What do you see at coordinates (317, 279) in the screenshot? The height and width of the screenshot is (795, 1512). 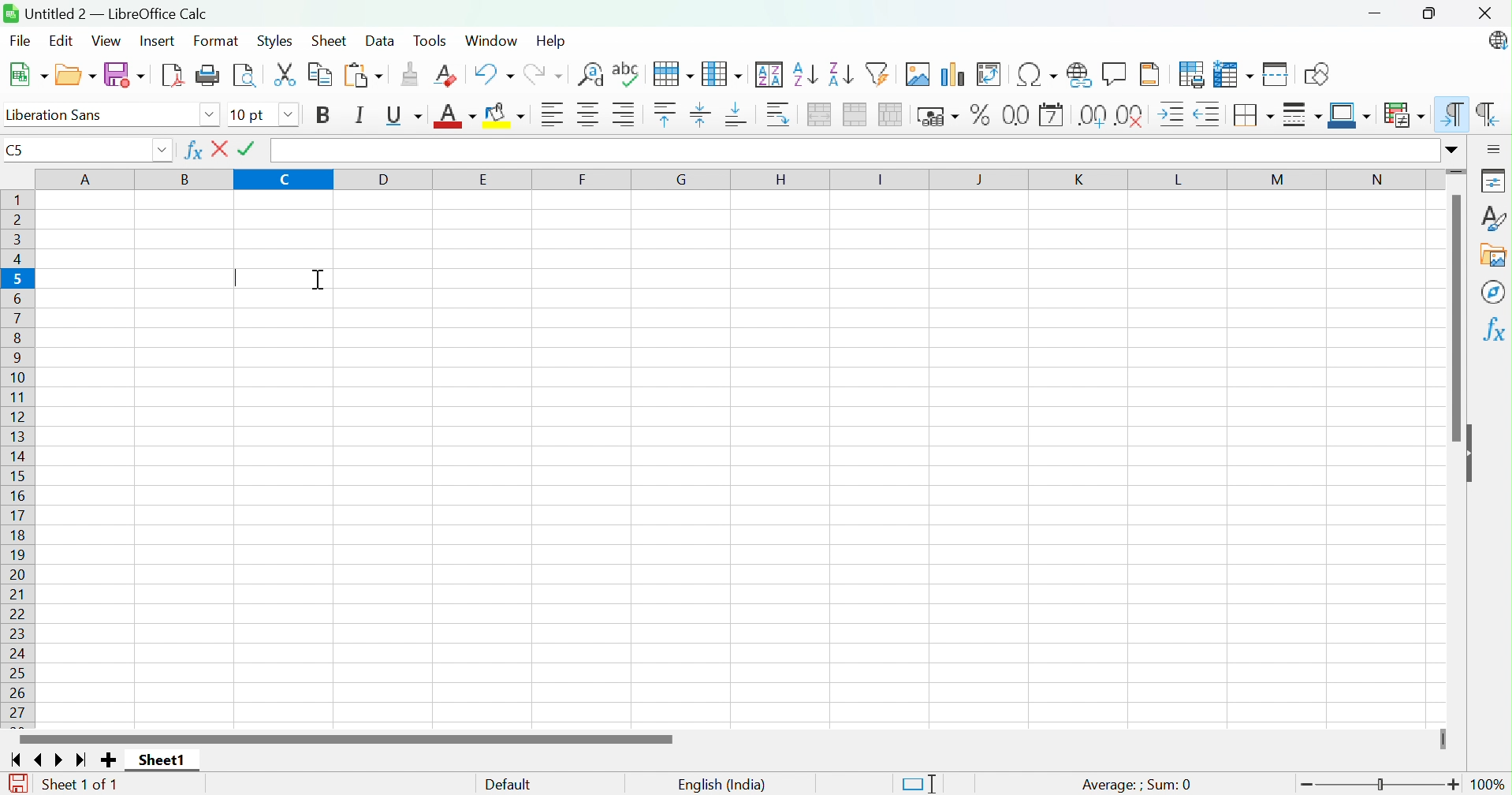 I see `Cursor` at bounding box center [317, 279].